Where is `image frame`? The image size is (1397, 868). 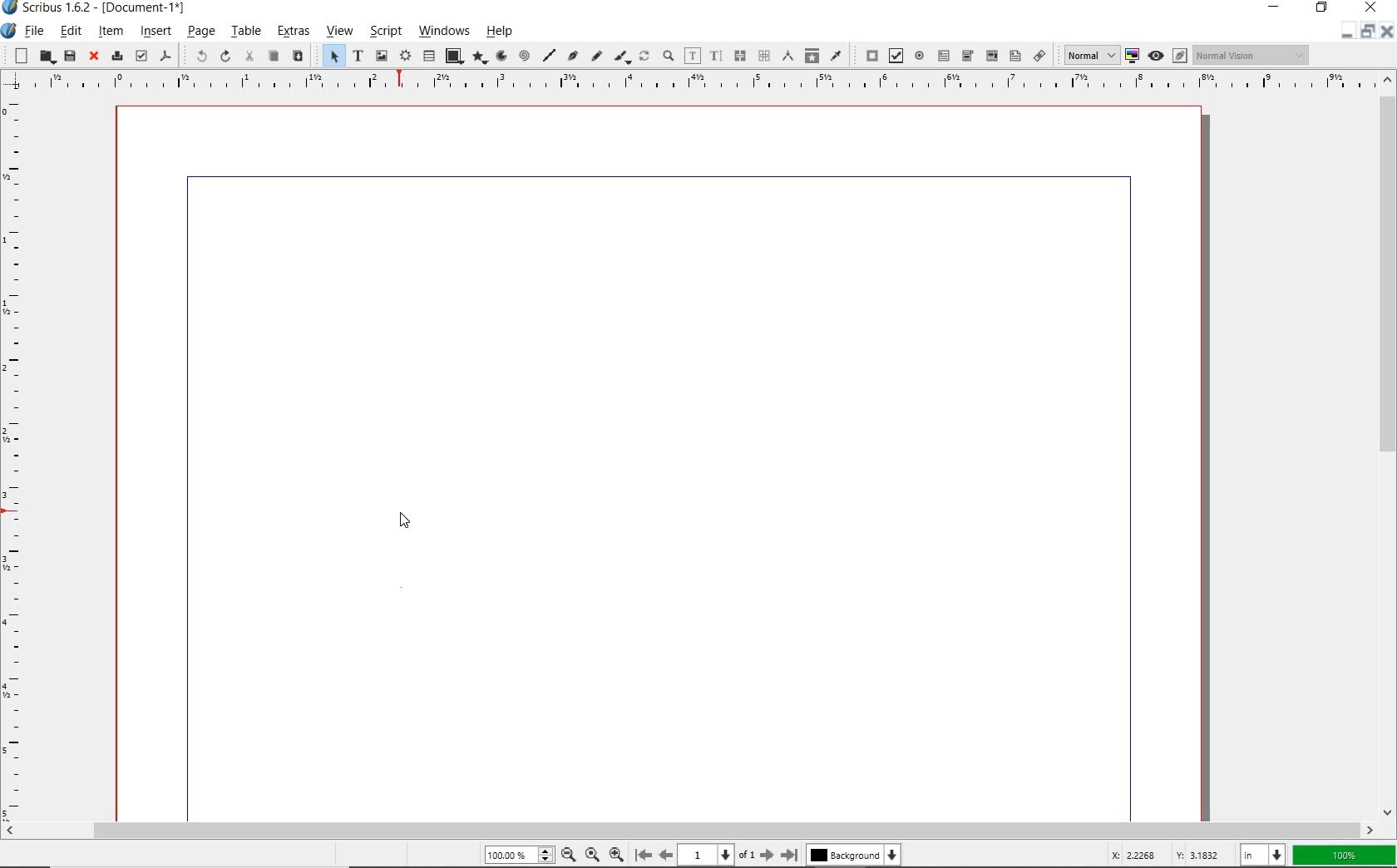
image frame is located at coordinates (383, 56).